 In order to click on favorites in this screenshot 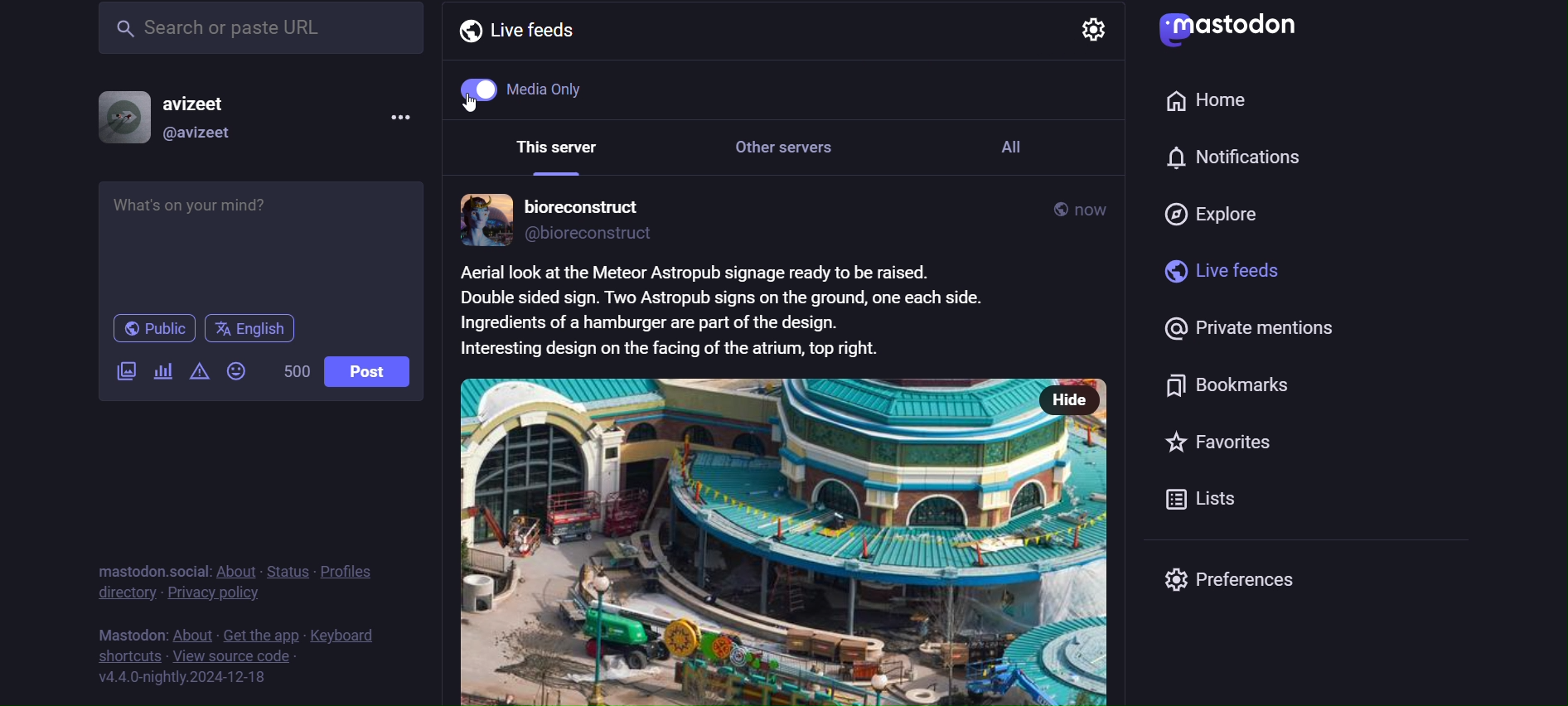, I will do `click(1222, 442)`.